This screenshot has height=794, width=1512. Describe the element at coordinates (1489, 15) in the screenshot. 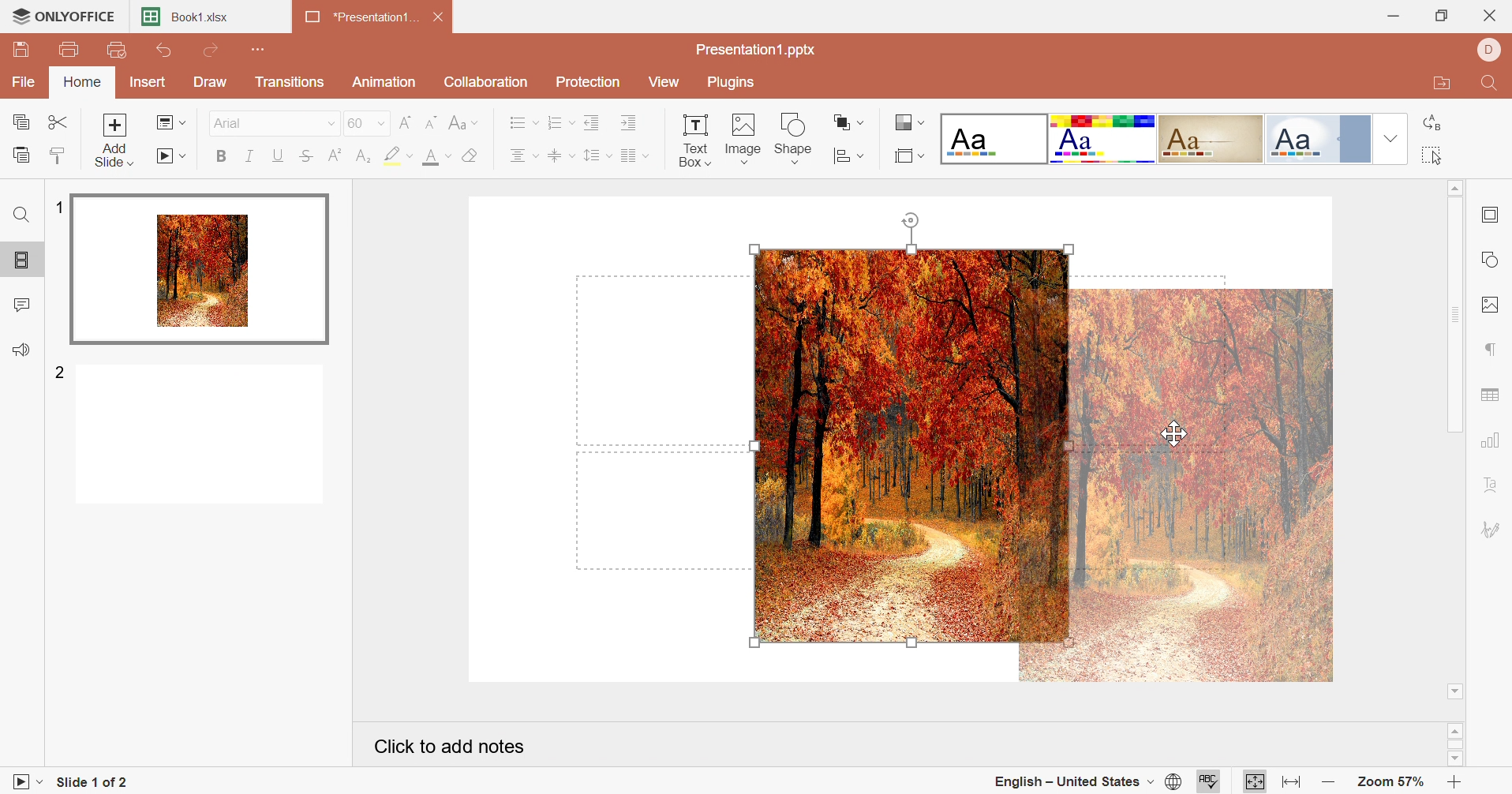

I see `Close` at that location.